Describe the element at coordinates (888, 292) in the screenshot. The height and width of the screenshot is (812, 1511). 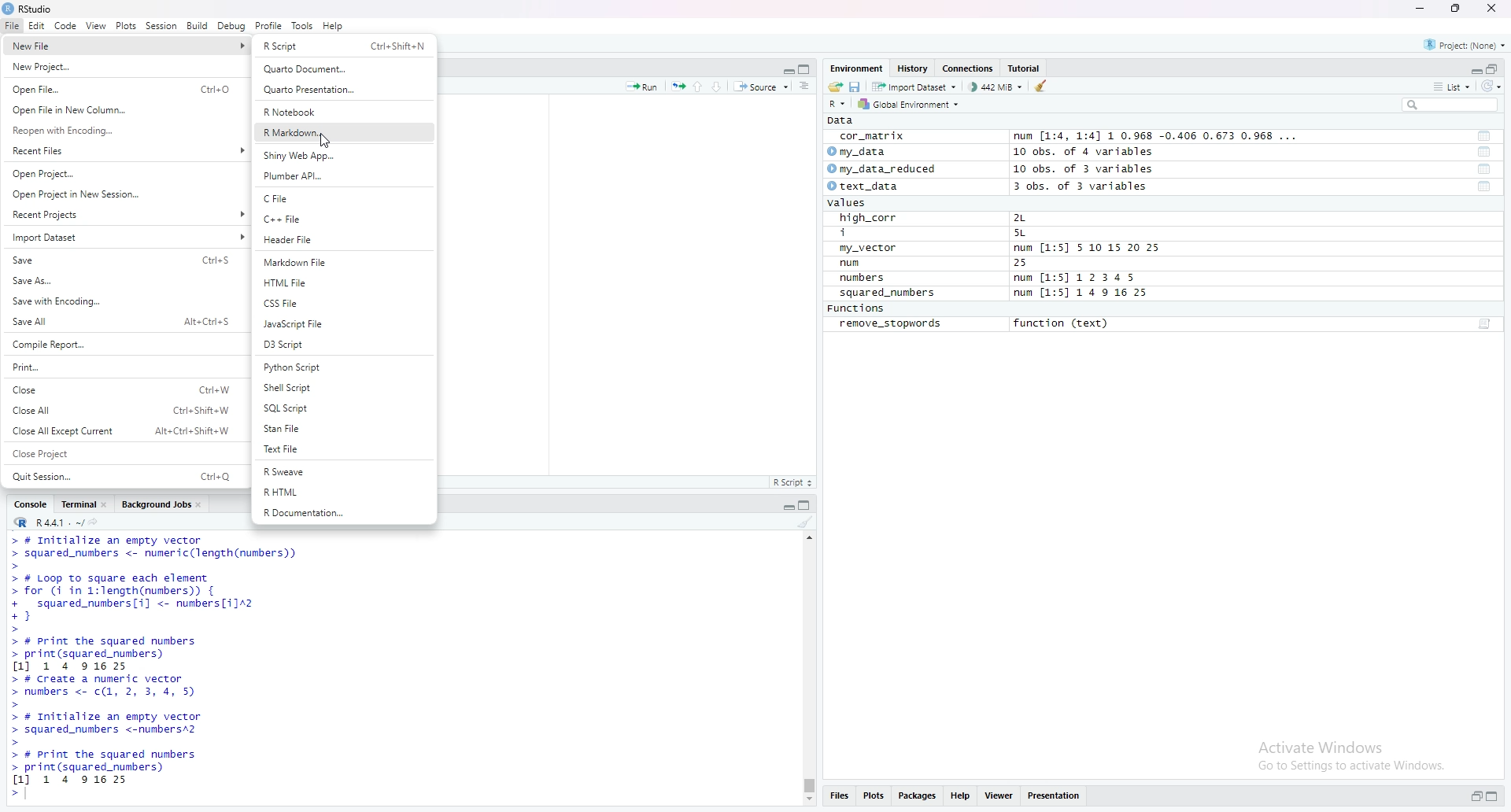
I see `squared_numbers` at that location.